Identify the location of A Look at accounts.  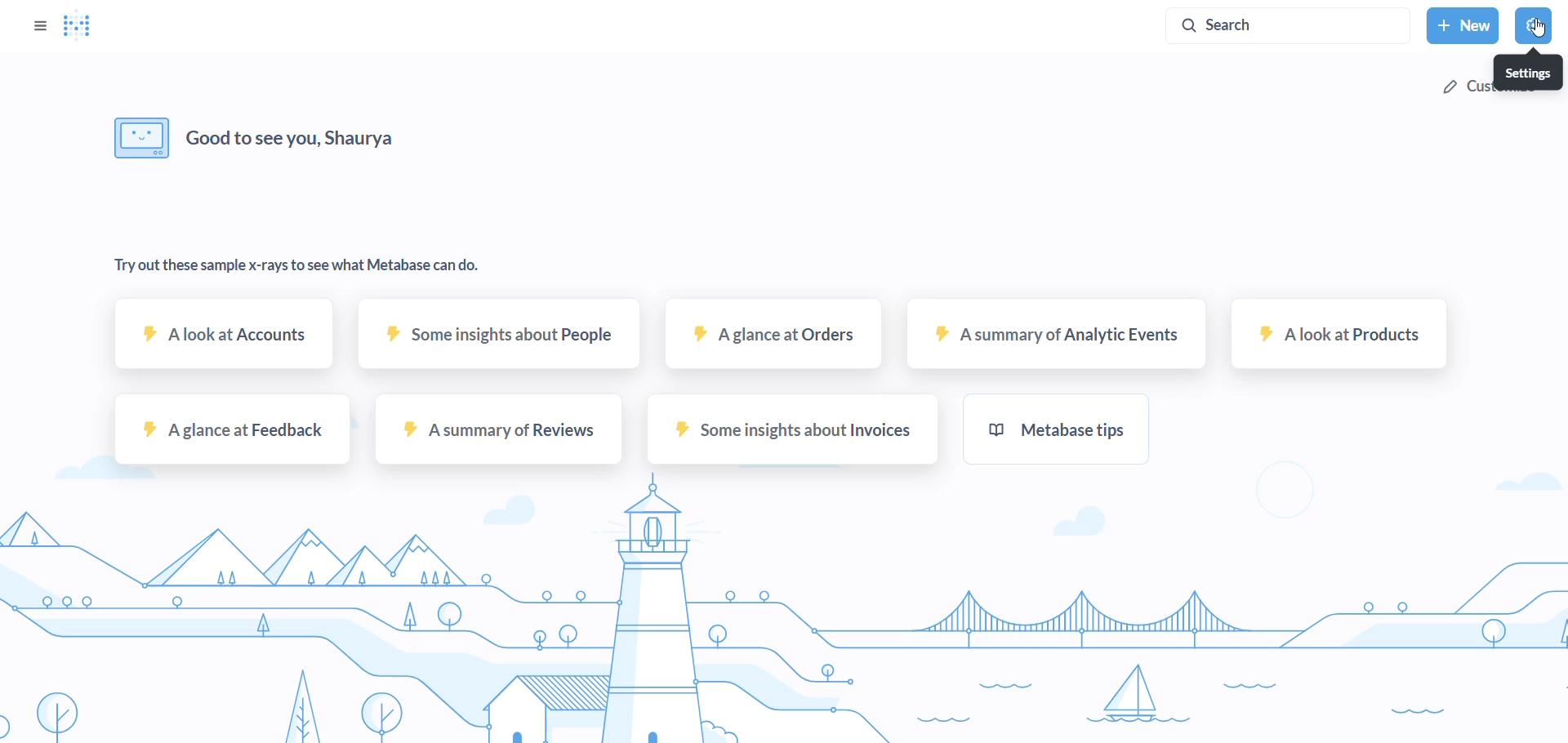
(224, 340).